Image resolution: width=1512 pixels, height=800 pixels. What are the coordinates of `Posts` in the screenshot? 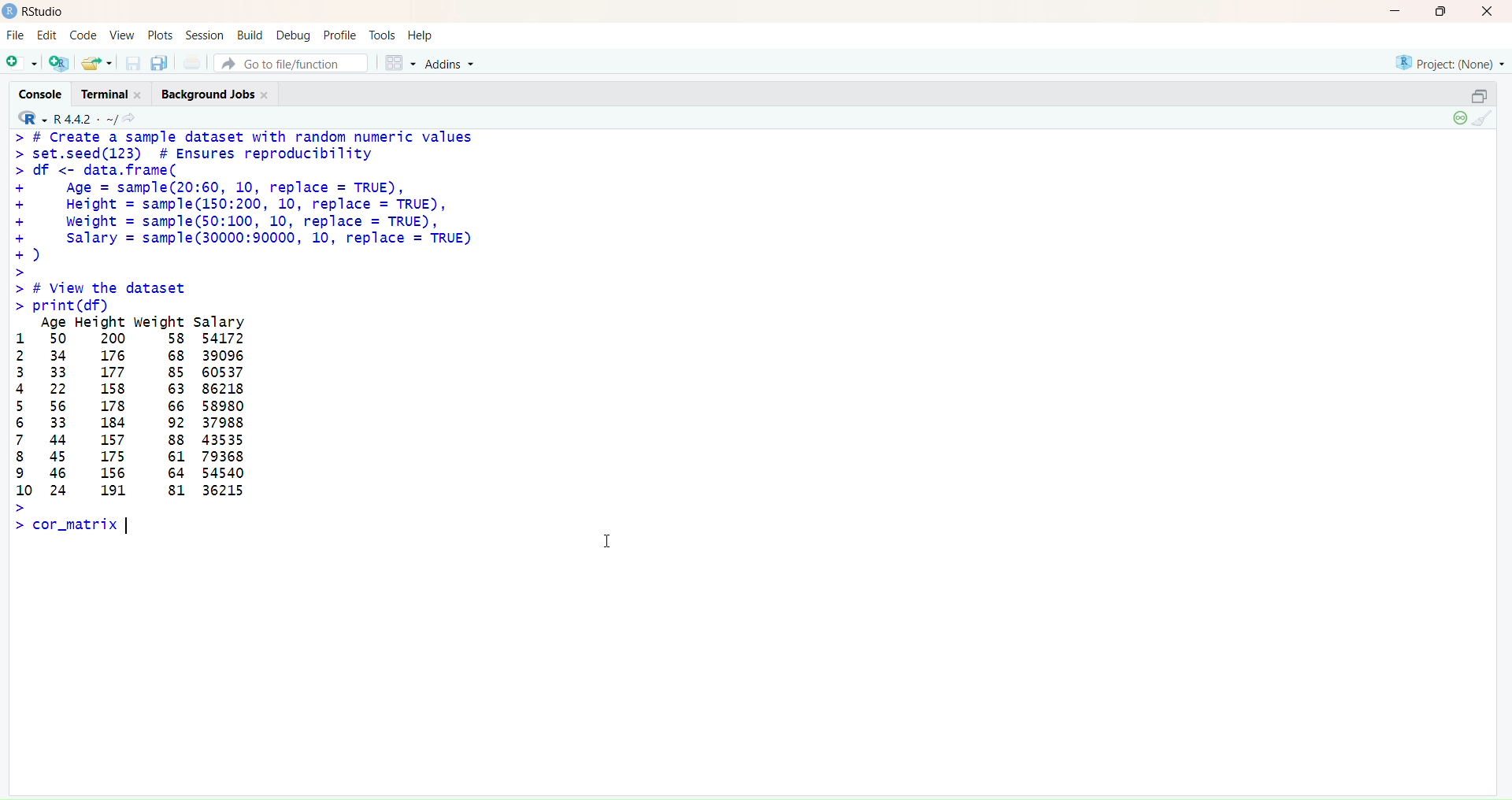 It's located at (157, 35).